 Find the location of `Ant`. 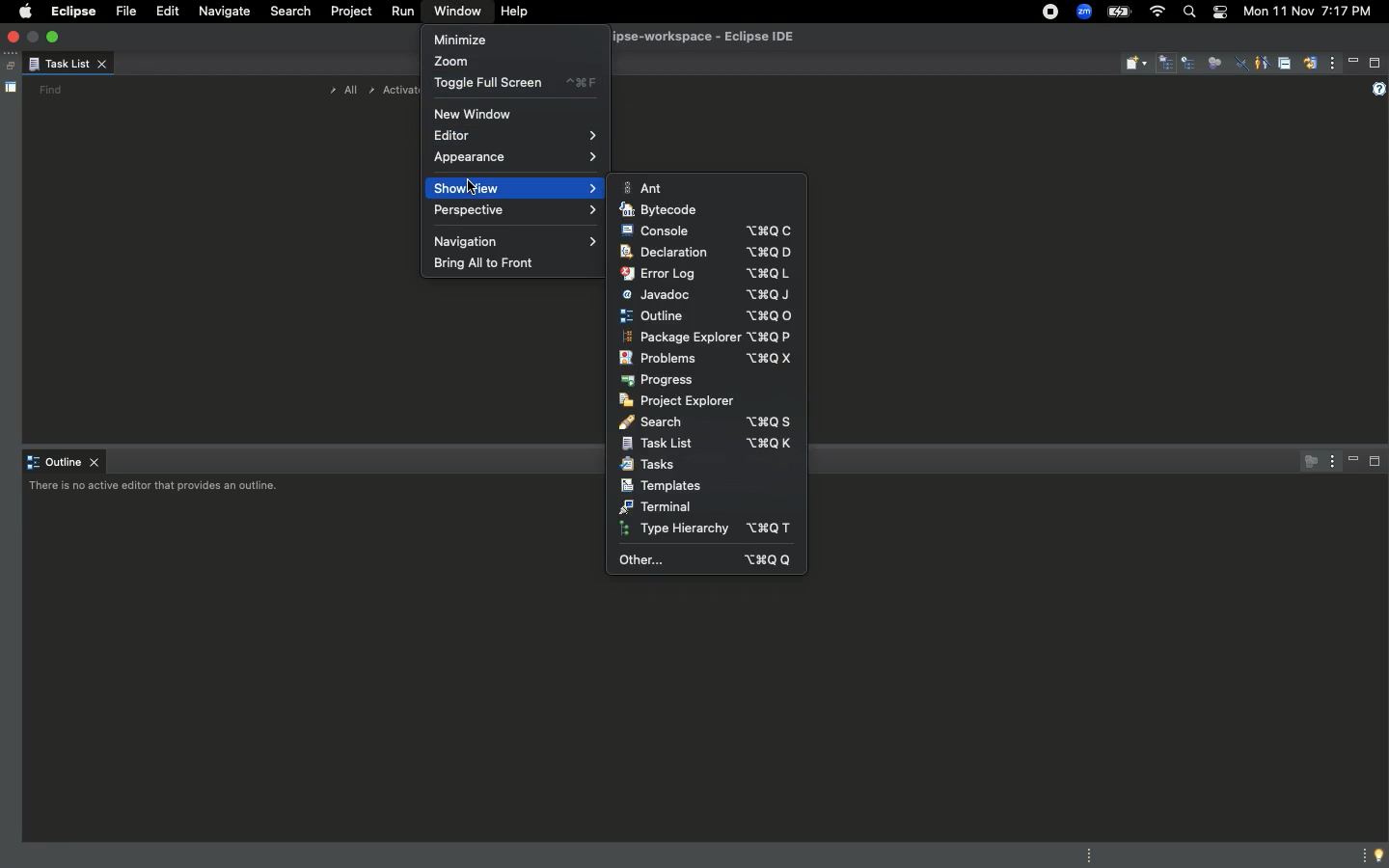

Ant is located at coordinates (642, 188).